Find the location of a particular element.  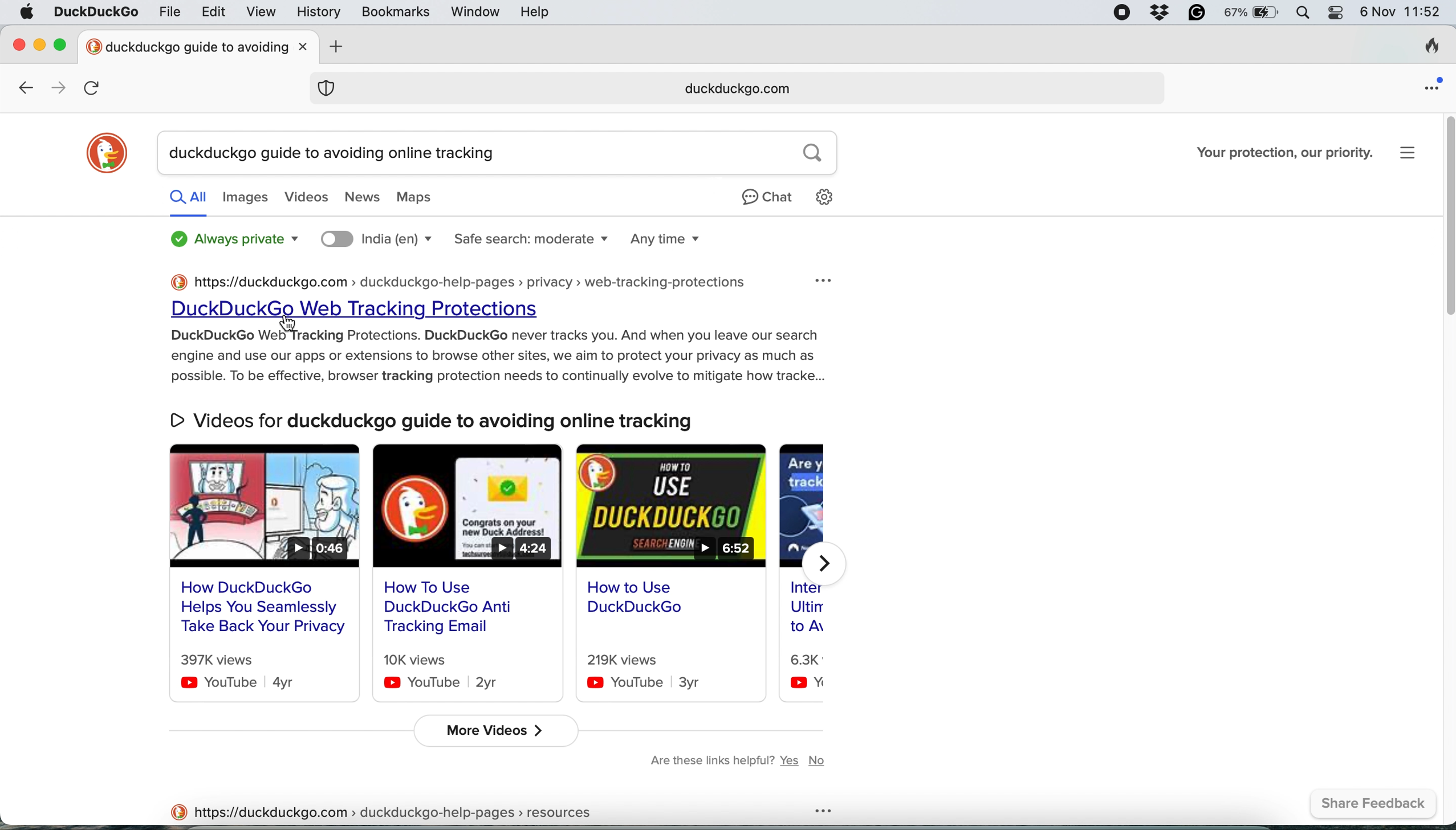

6.3k is located at coordinates (803, 660).